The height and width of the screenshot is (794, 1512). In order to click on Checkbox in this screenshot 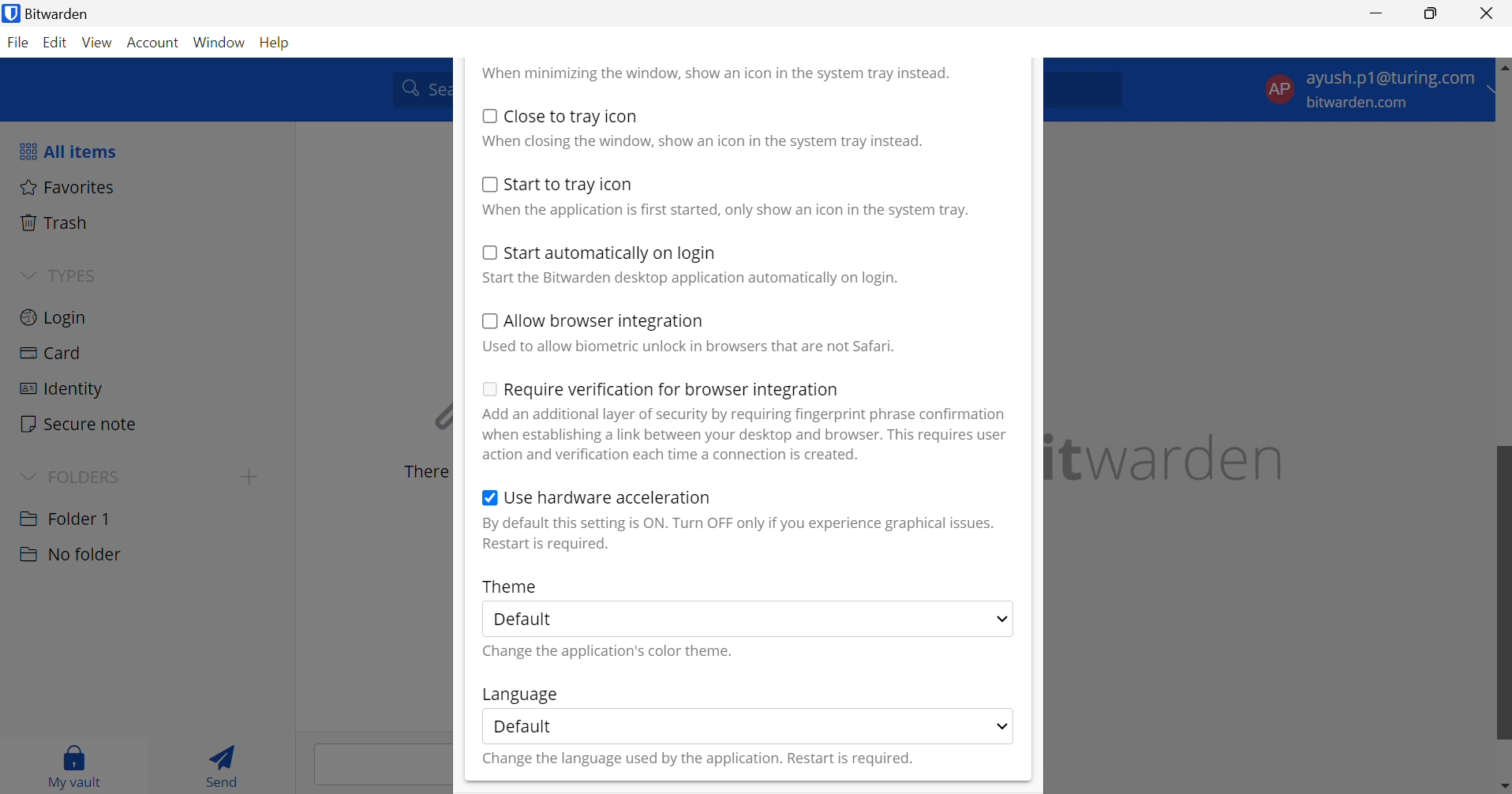, I will do `click(486, 252)`.